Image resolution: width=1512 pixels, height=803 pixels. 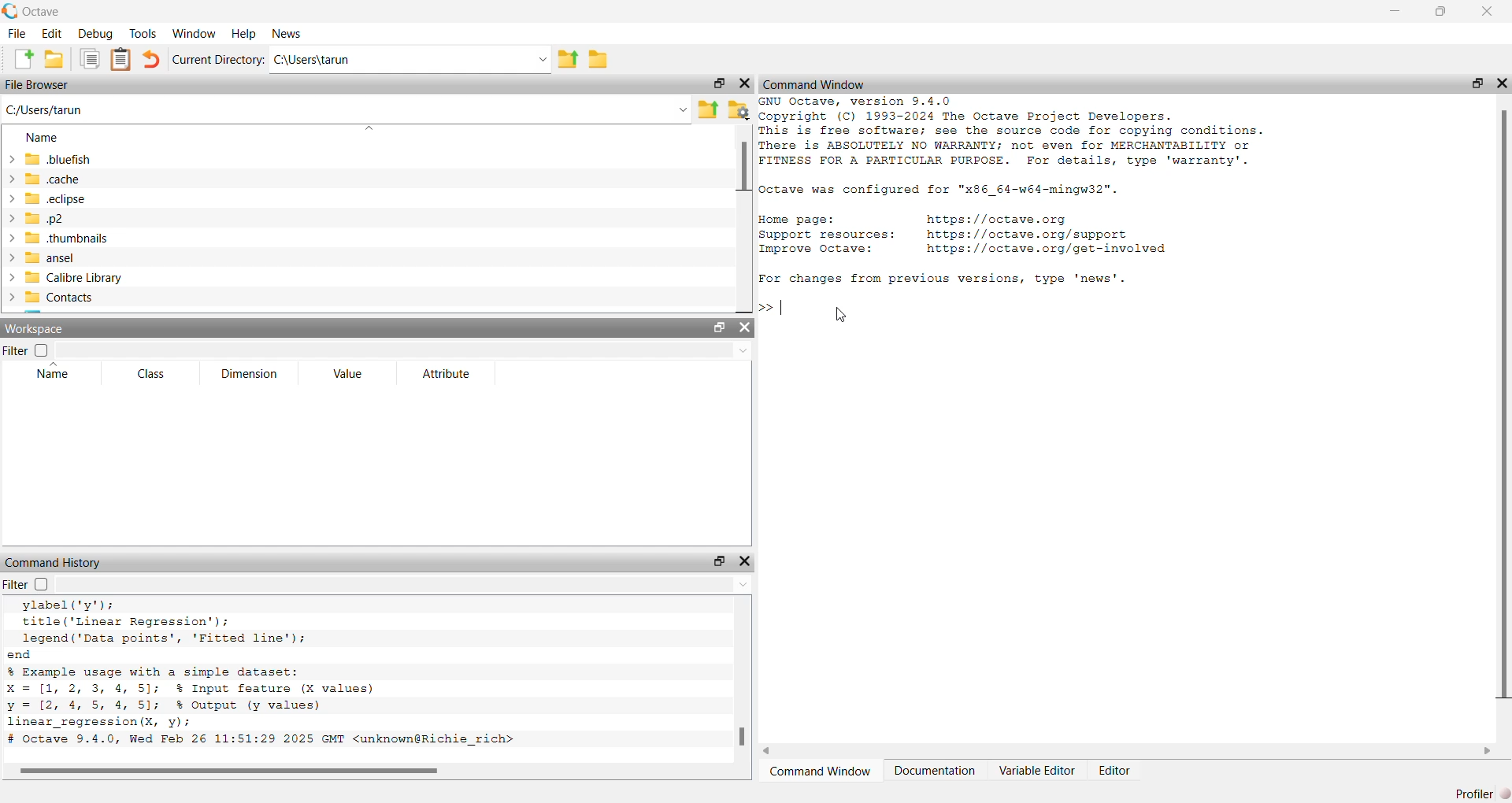 I want to click on enter directory name, so click(x=413, y=60).